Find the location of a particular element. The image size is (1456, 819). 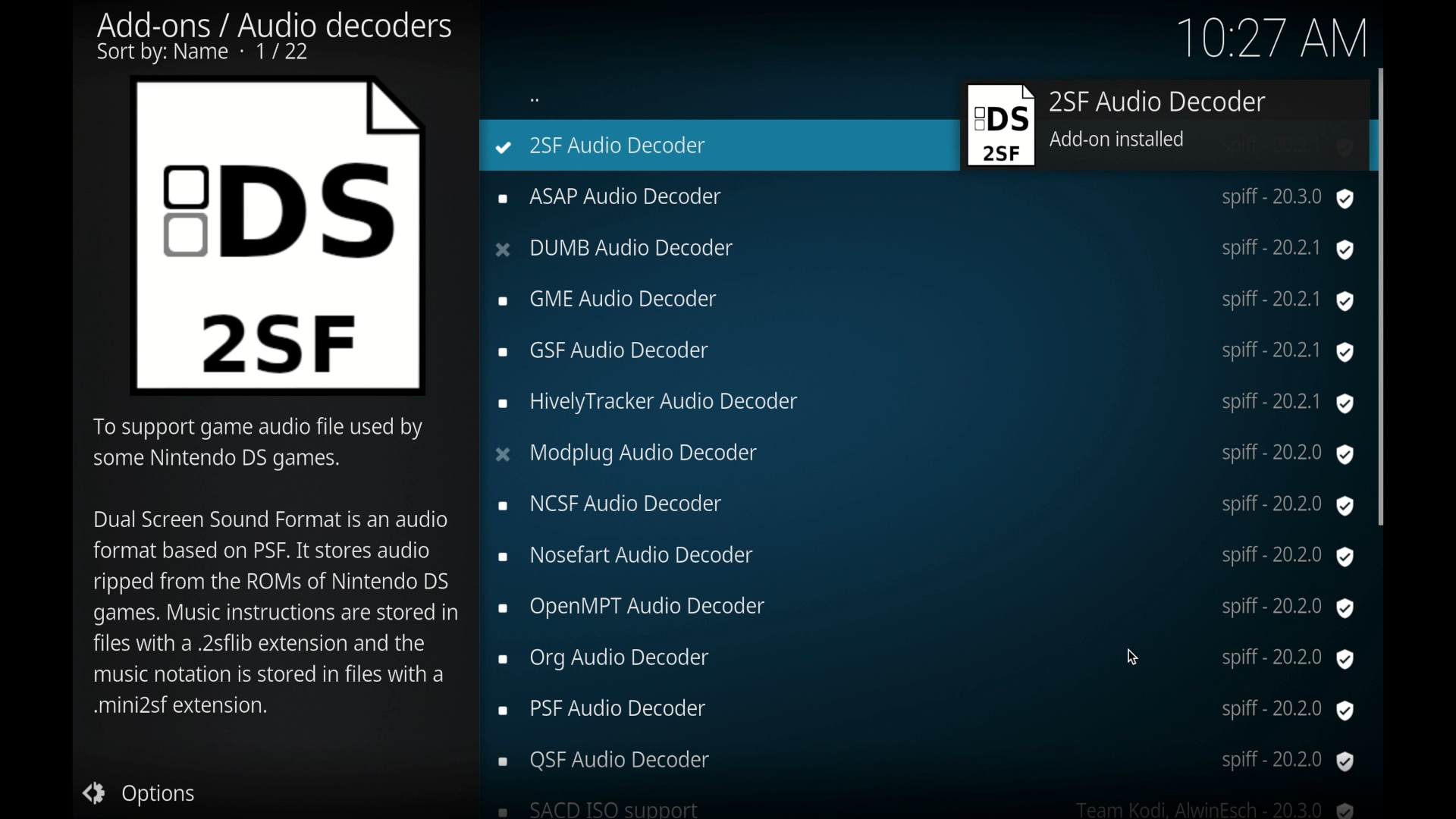

gme audio decoder is located at coordinates (924, 301).